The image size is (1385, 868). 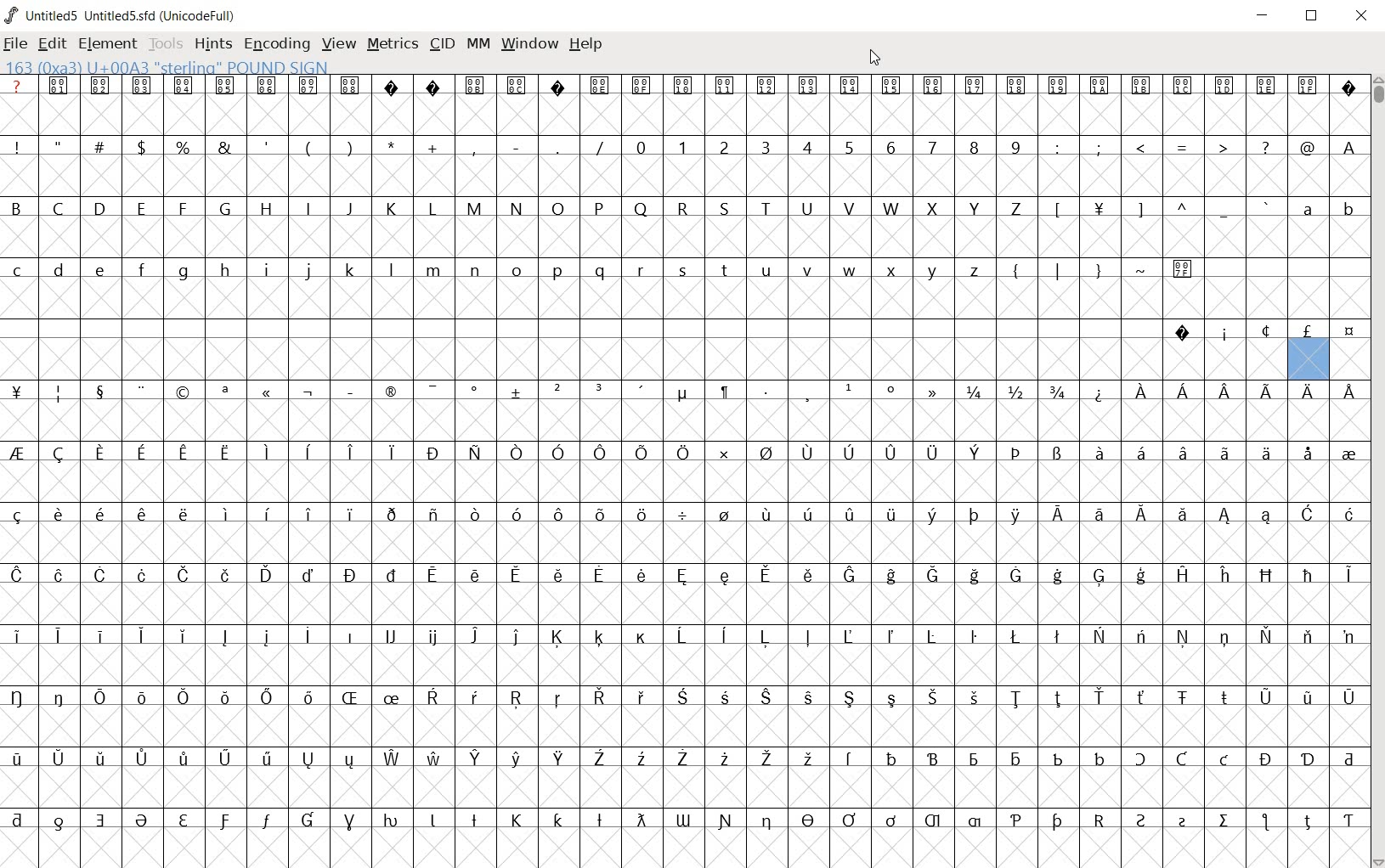 I want to click on Symbol, so click(x=100, y=820).